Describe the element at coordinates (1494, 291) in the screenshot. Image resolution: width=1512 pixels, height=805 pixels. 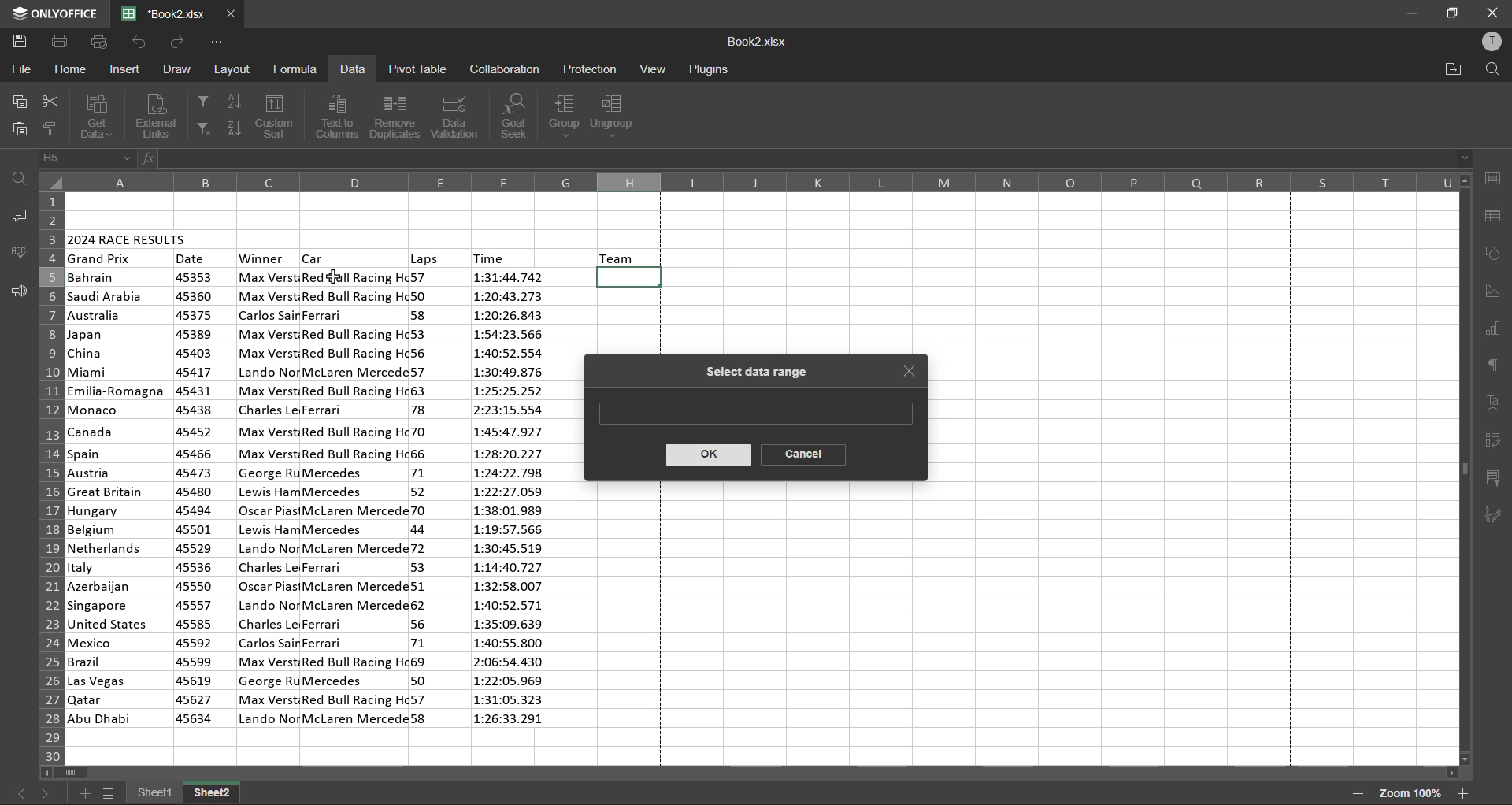
I see `images` at that location.